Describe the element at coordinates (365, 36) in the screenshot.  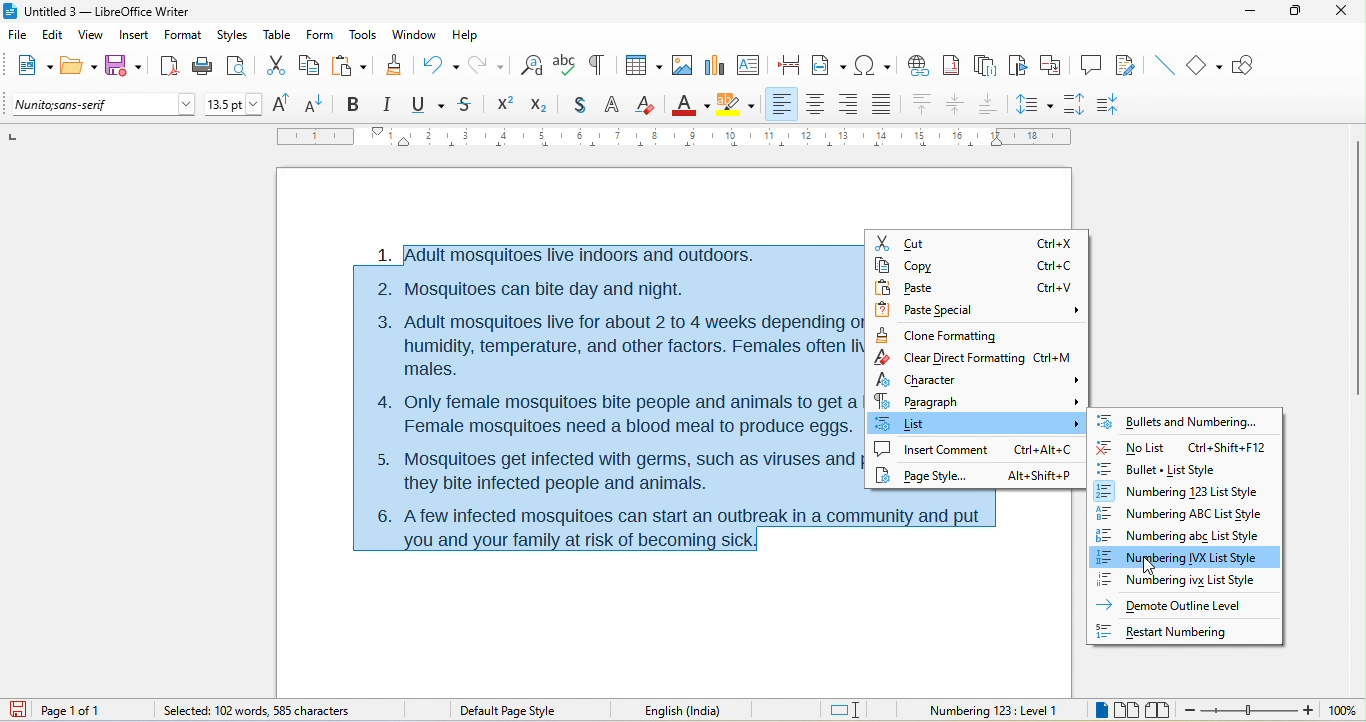
I see `tools` at that location.